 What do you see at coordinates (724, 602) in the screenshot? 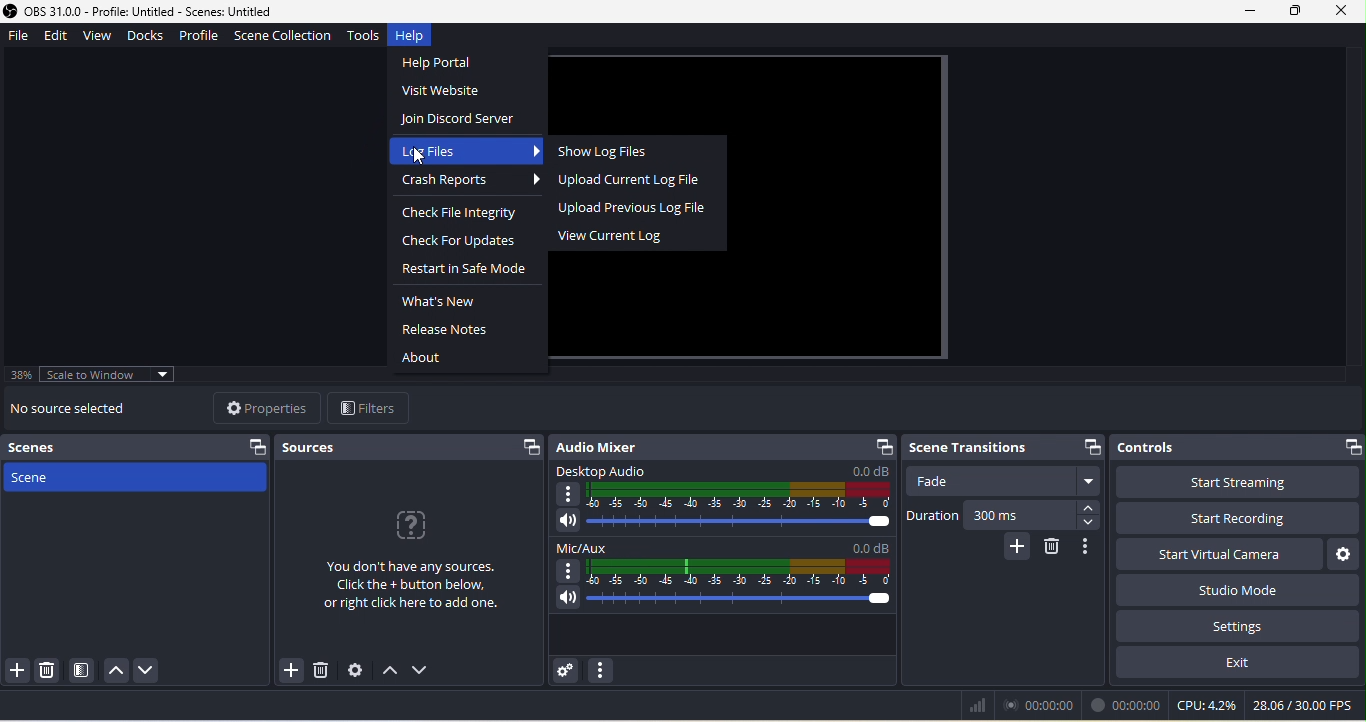
I see `volume` at bounding box center [724, 602].